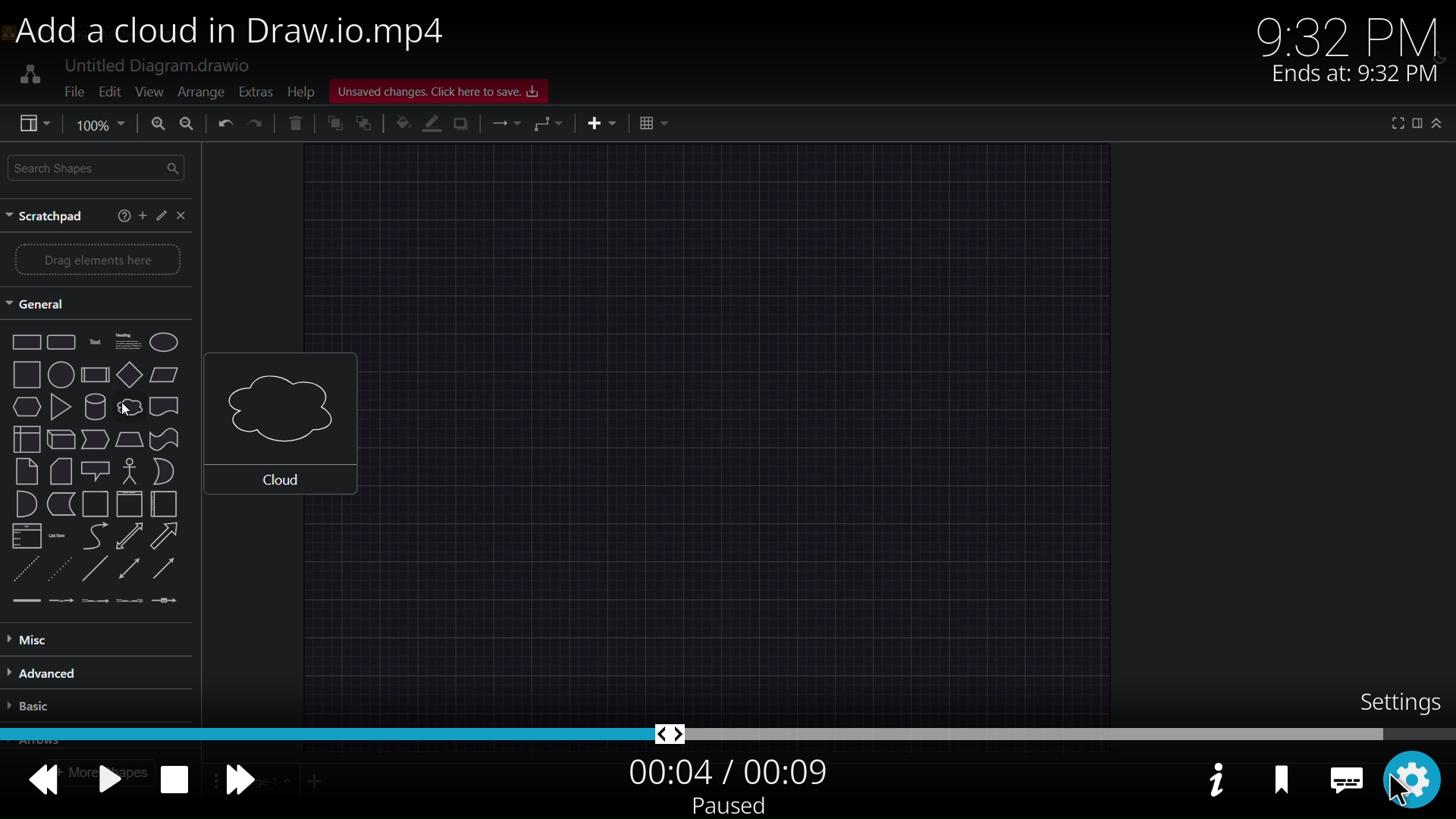 The image size is (1456, 819). I want to click on cursor, so click(1401, 793).